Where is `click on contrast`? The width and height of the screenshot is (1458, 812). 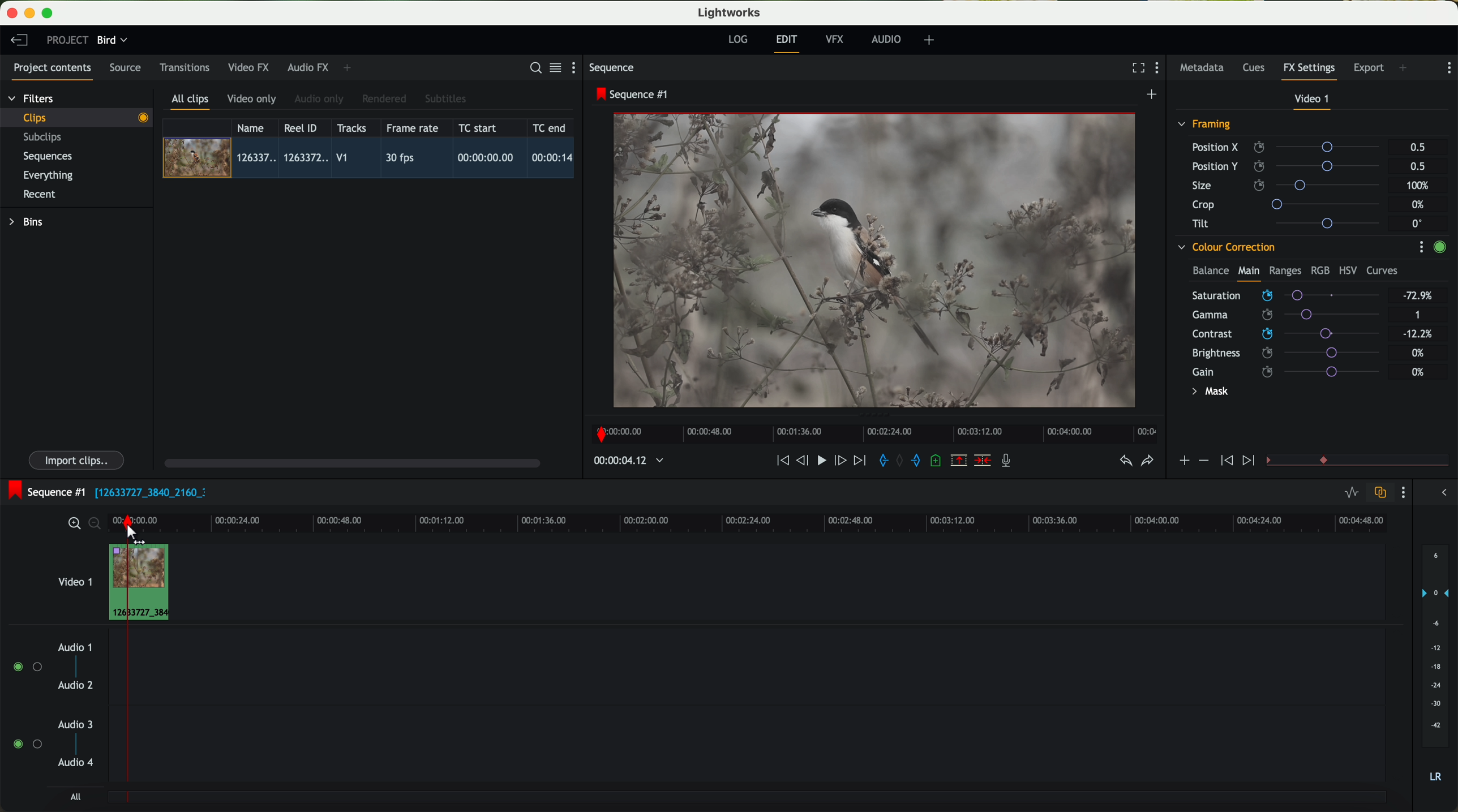
click on contrast is located at coordinates (1286, 335).